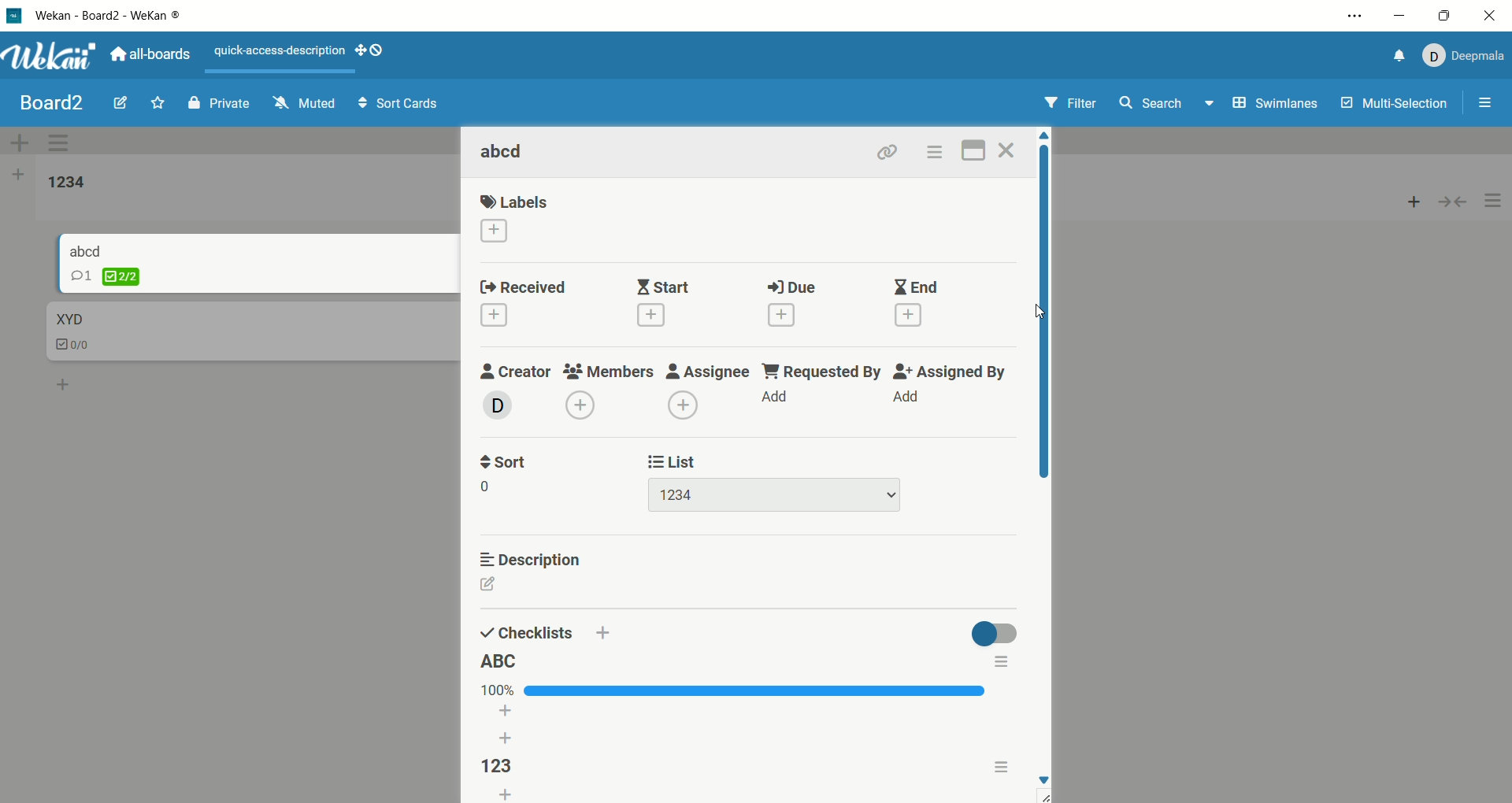 The image size is (1512, 803). I want to click on add, so click(65, 382).